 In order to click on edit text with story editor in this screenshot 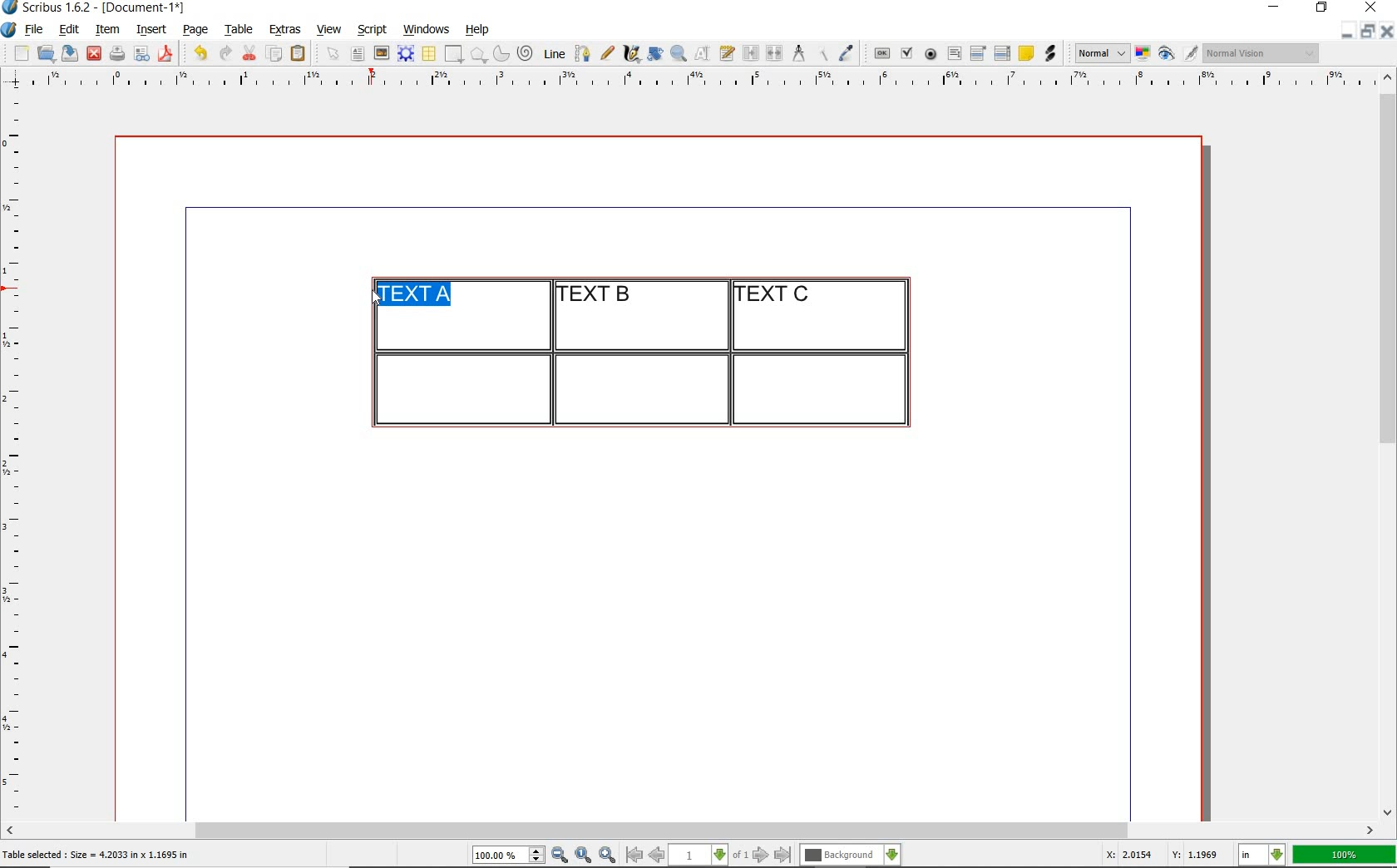, I will do `click(727, 52)`.